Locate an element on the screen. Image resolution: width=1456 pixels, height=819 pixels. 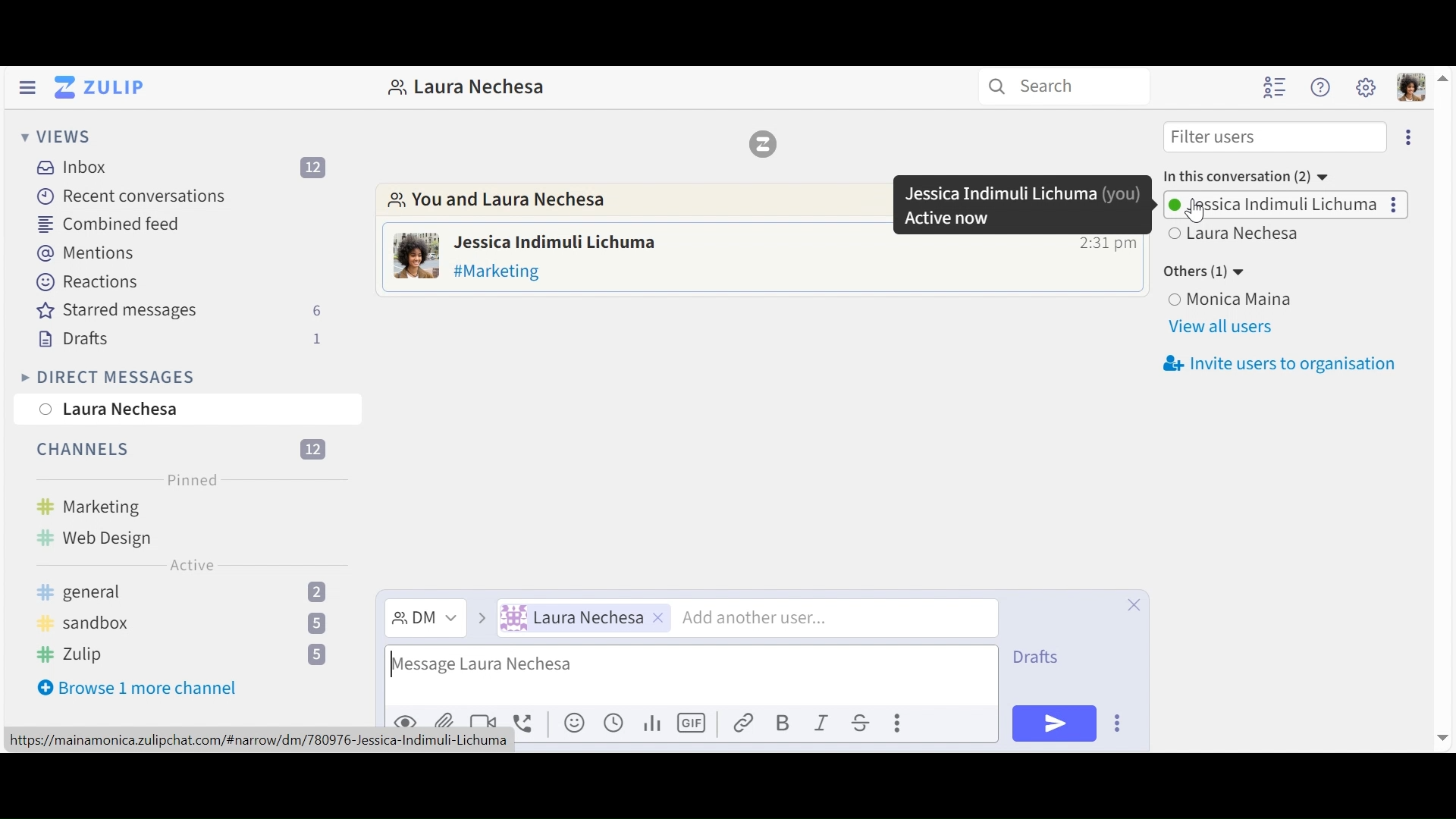
pROFILE PHOTO is located at coordinates (417, 256).